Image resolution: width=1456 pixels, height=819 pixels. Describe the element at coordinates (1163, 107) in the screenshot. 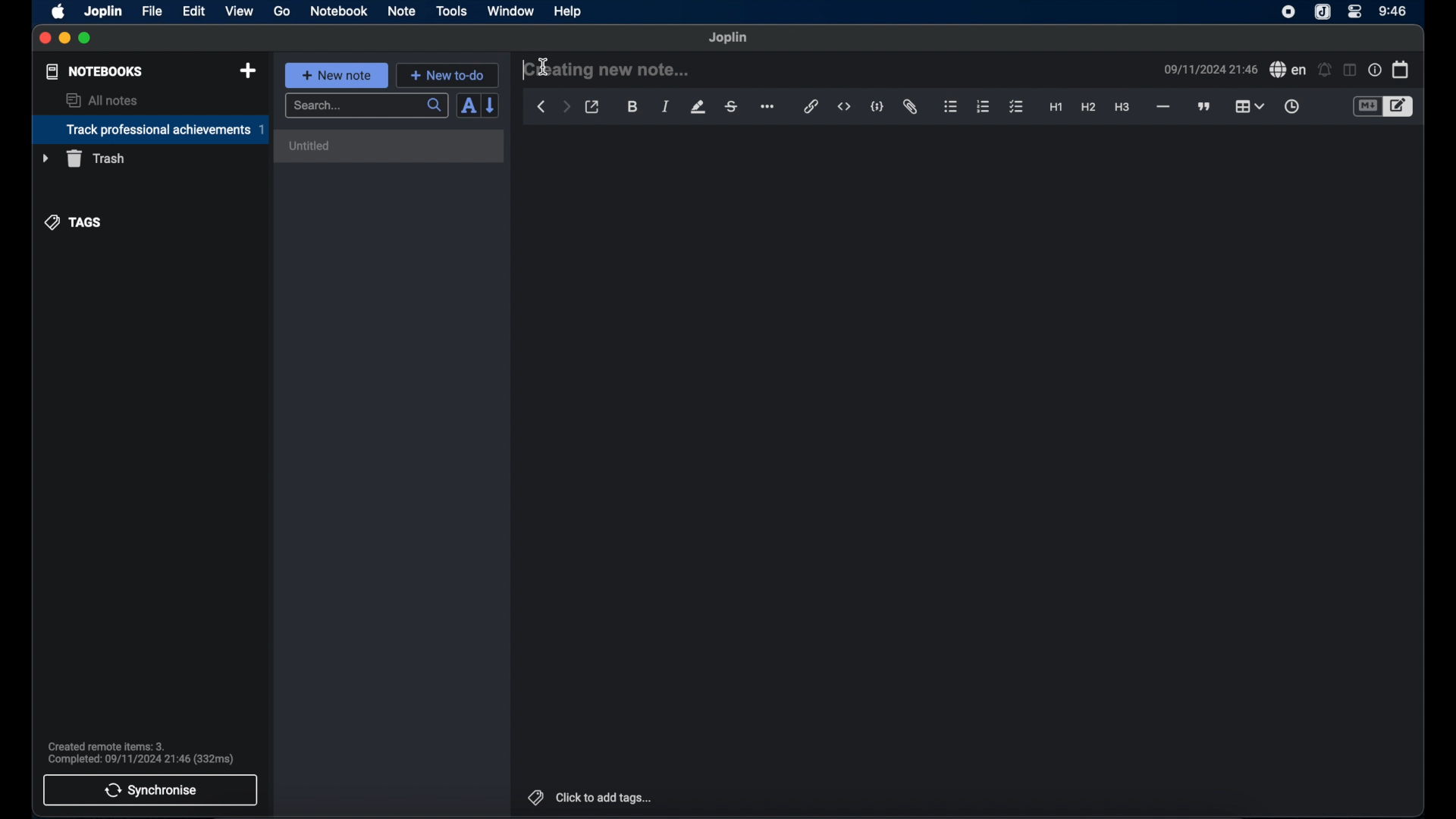

I see `horizontal line` at that location.